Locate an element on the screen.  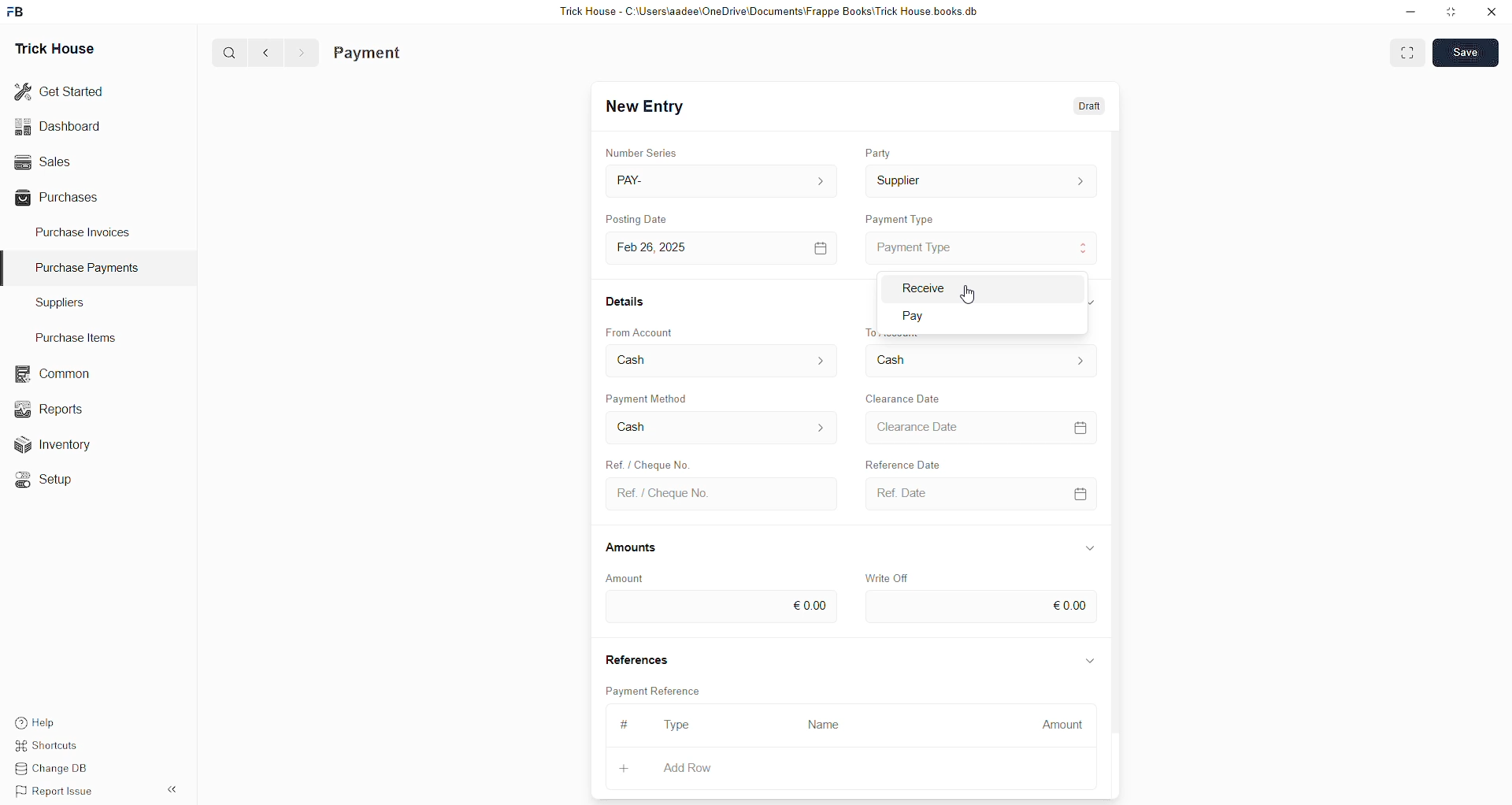
Clearance Date  is located at coordinates (978, 426).